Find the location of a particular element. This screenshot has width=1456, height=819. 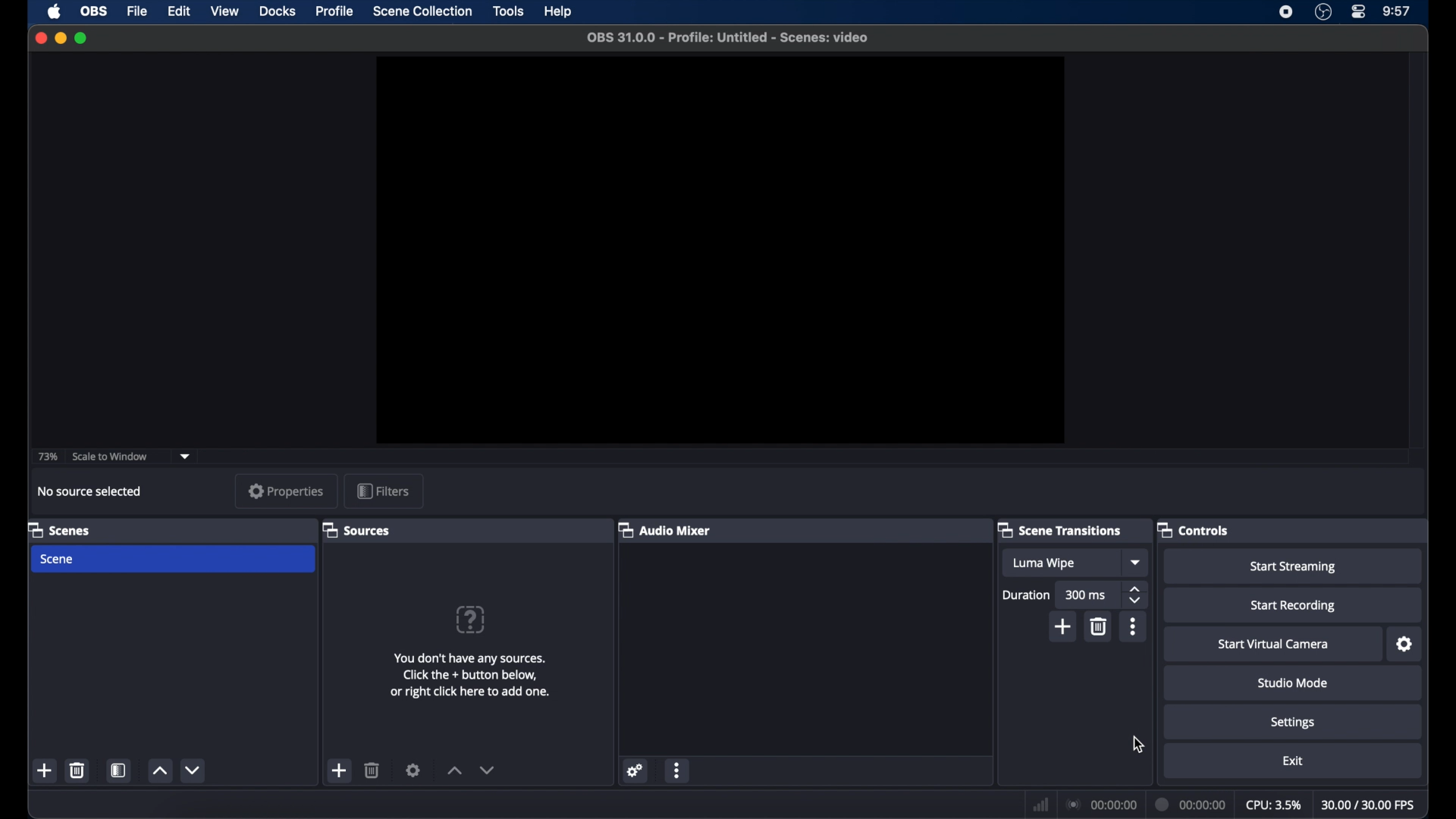

add is located at coordinates (46, 770).